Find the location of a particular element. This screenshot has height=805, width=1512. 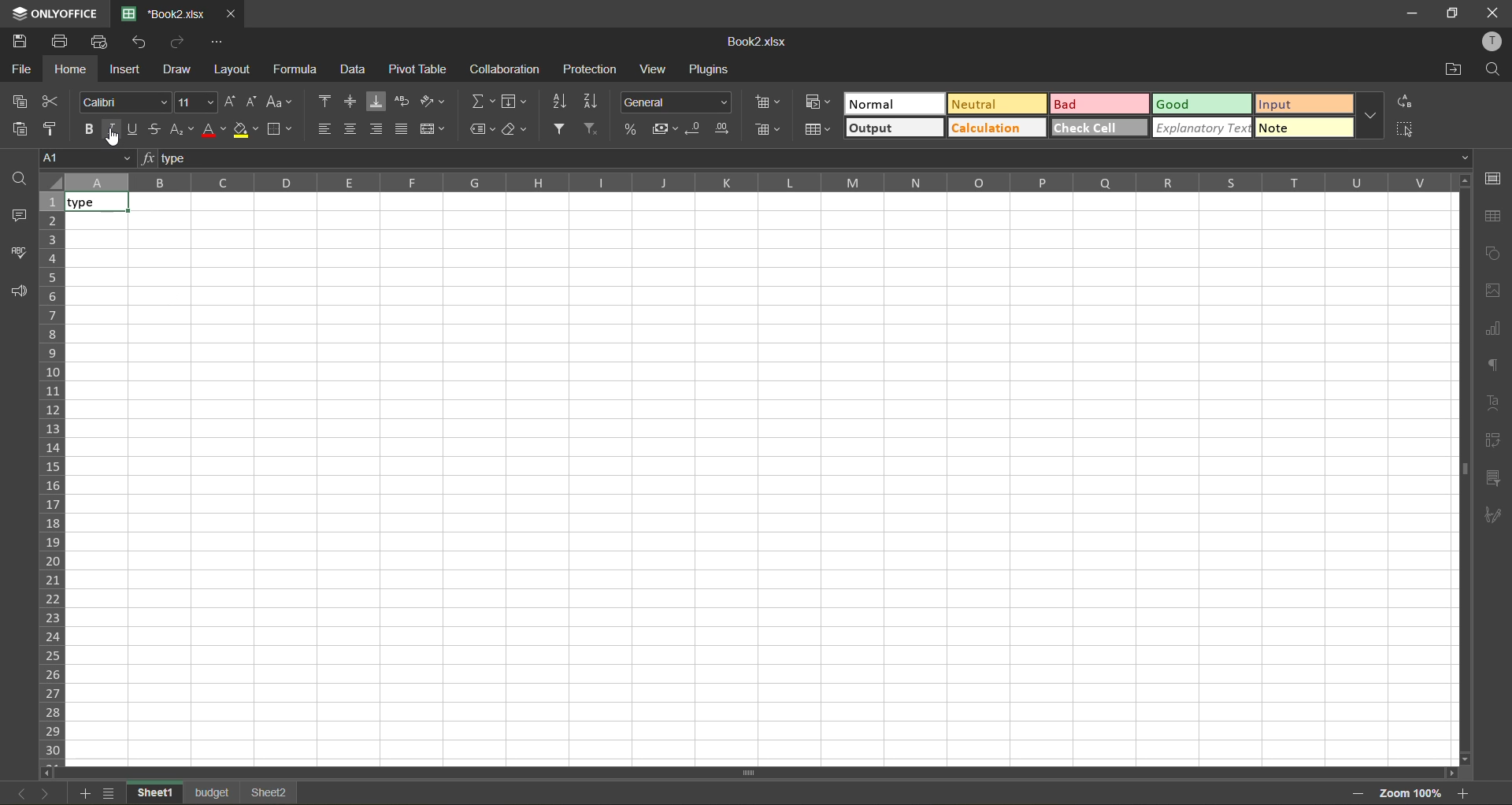

maximize is located at coordinates (1453, 14).